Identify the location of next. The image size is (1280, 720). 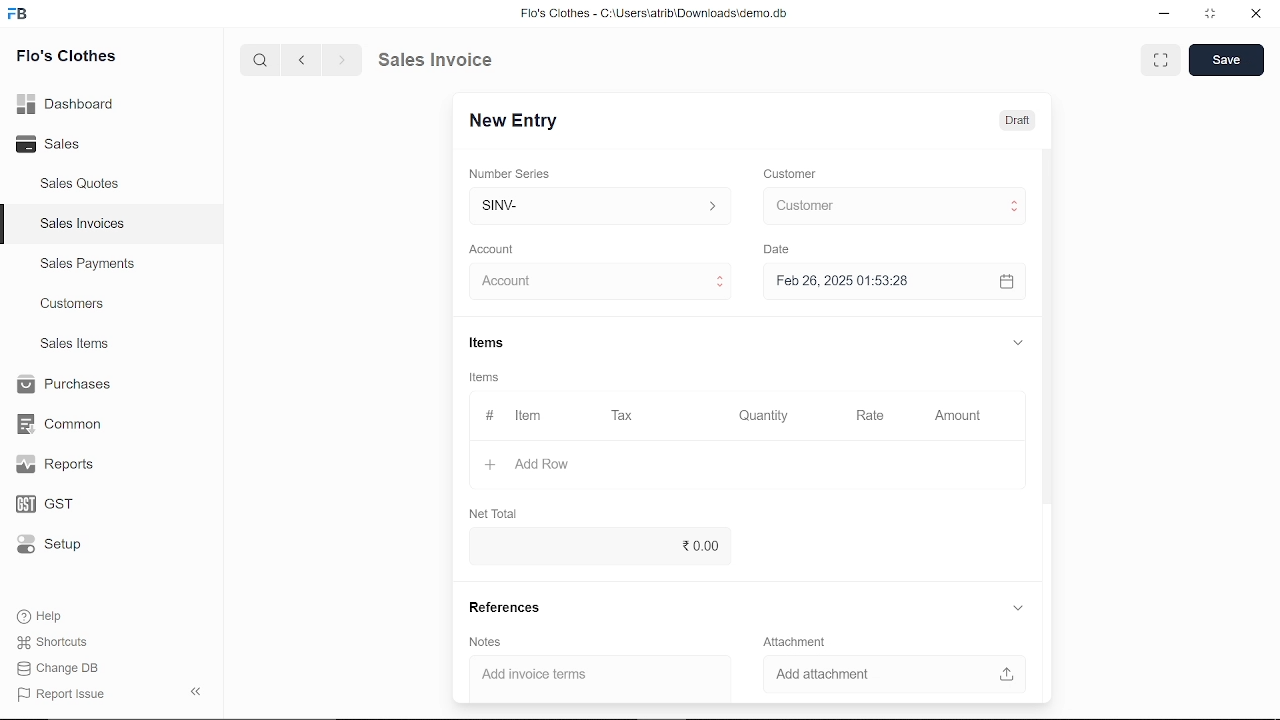
(342, 60).